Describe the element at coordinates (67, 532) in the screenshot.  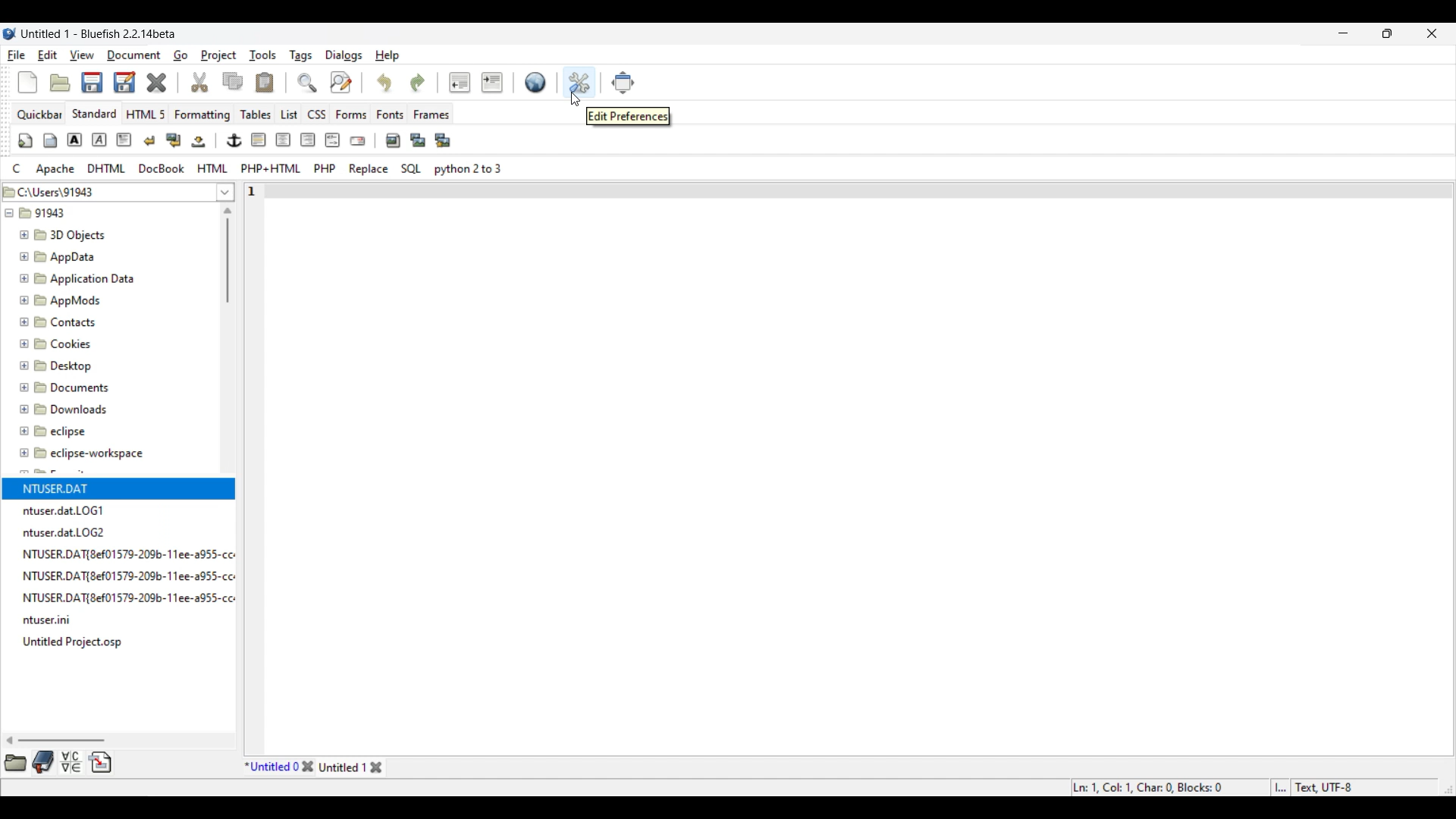
I see `ntuser.dat.LOG2` at that location.